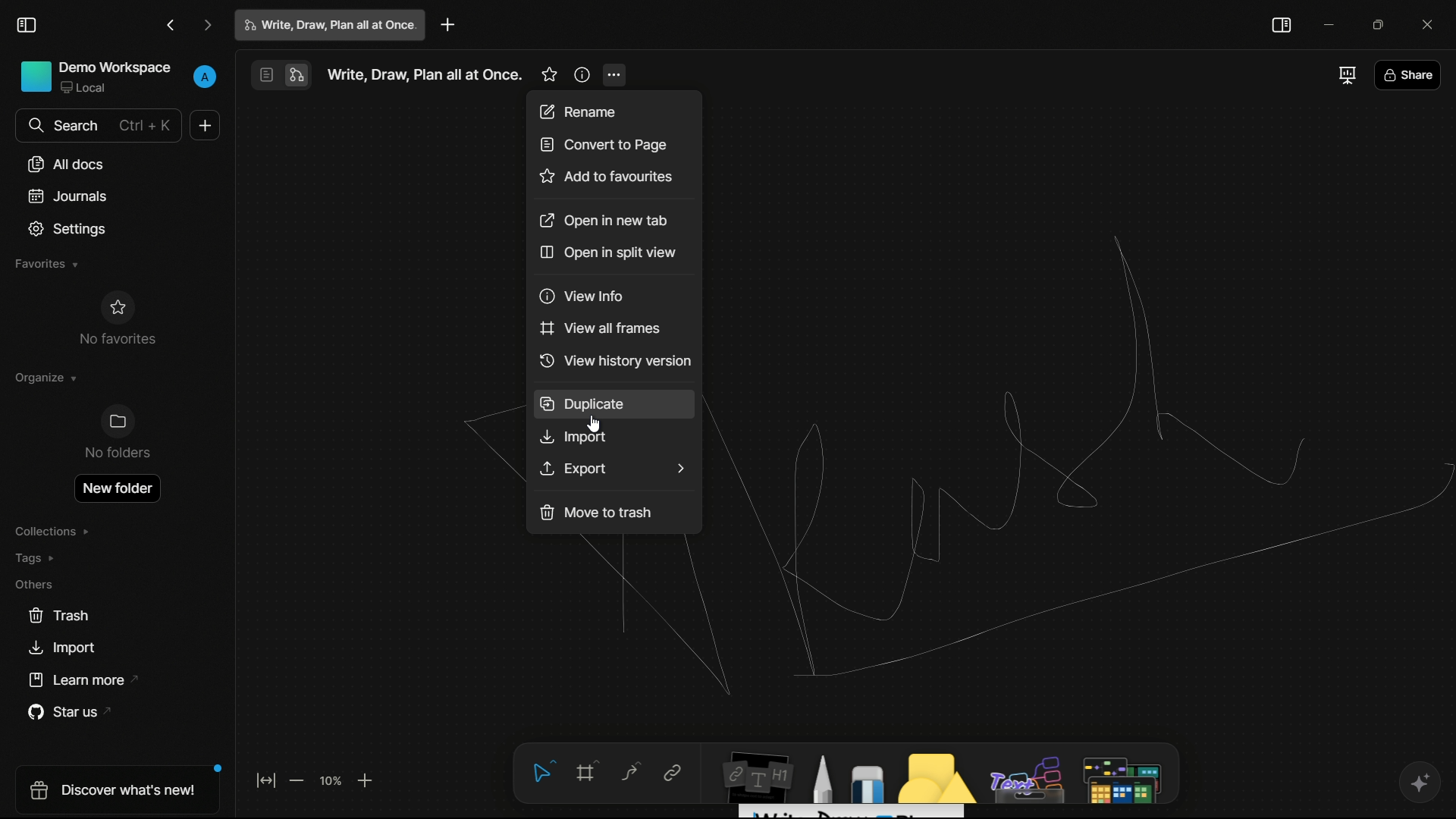 This screenshot has height=819, width=1456. What do you see at coordinates (1376, 26) in the screenshot?
I see `maximize or restore` at bounding box center [1376, 26].